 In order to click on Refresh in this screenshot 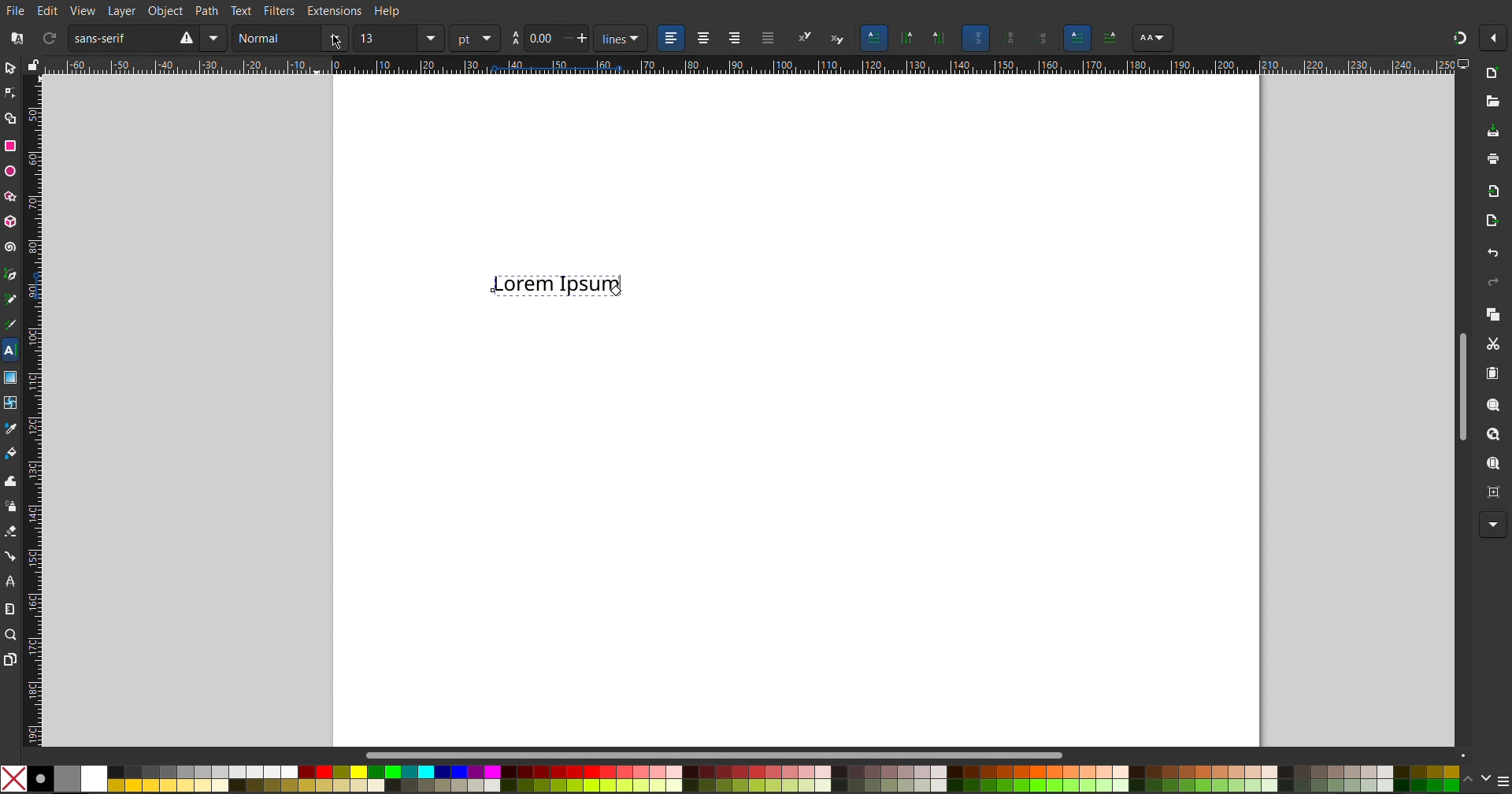, I will do `click(49, 39)`.